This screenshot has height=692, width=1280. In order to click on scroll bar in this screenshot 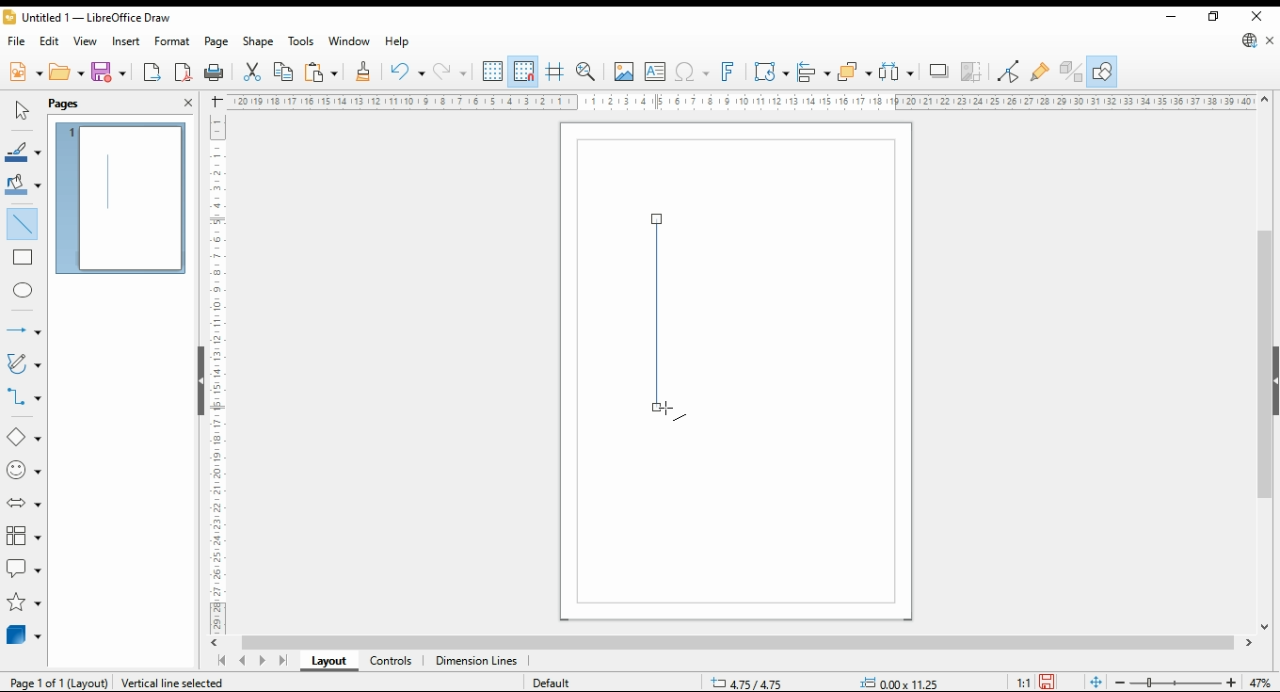, I will do `click(1267, 362)`.